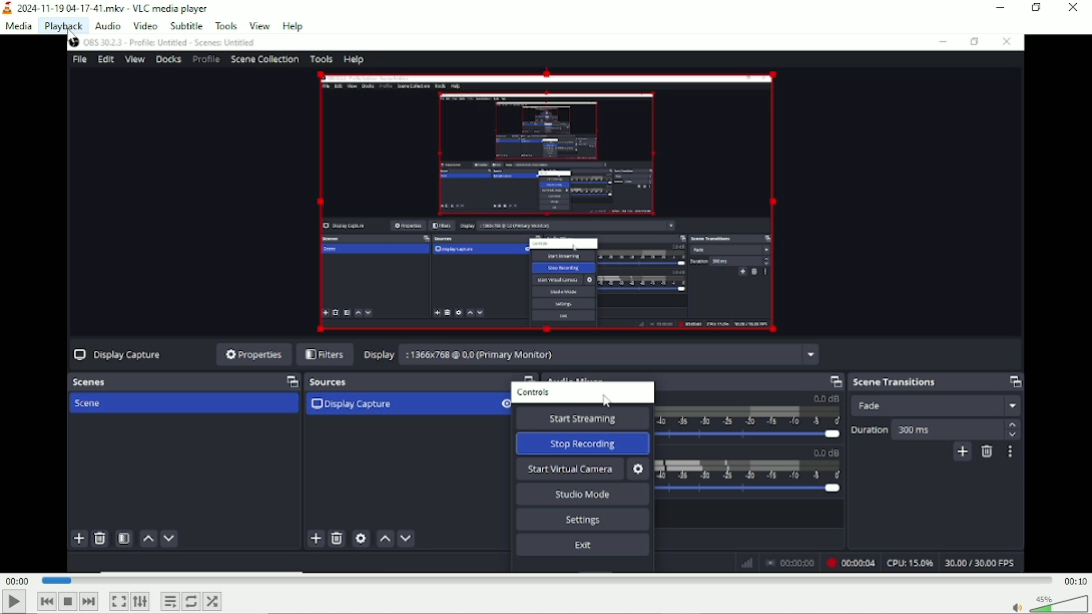 This screenshot has height=614, width=1092. I want to click on Toggle video in fullscreen, so click(119, 602).